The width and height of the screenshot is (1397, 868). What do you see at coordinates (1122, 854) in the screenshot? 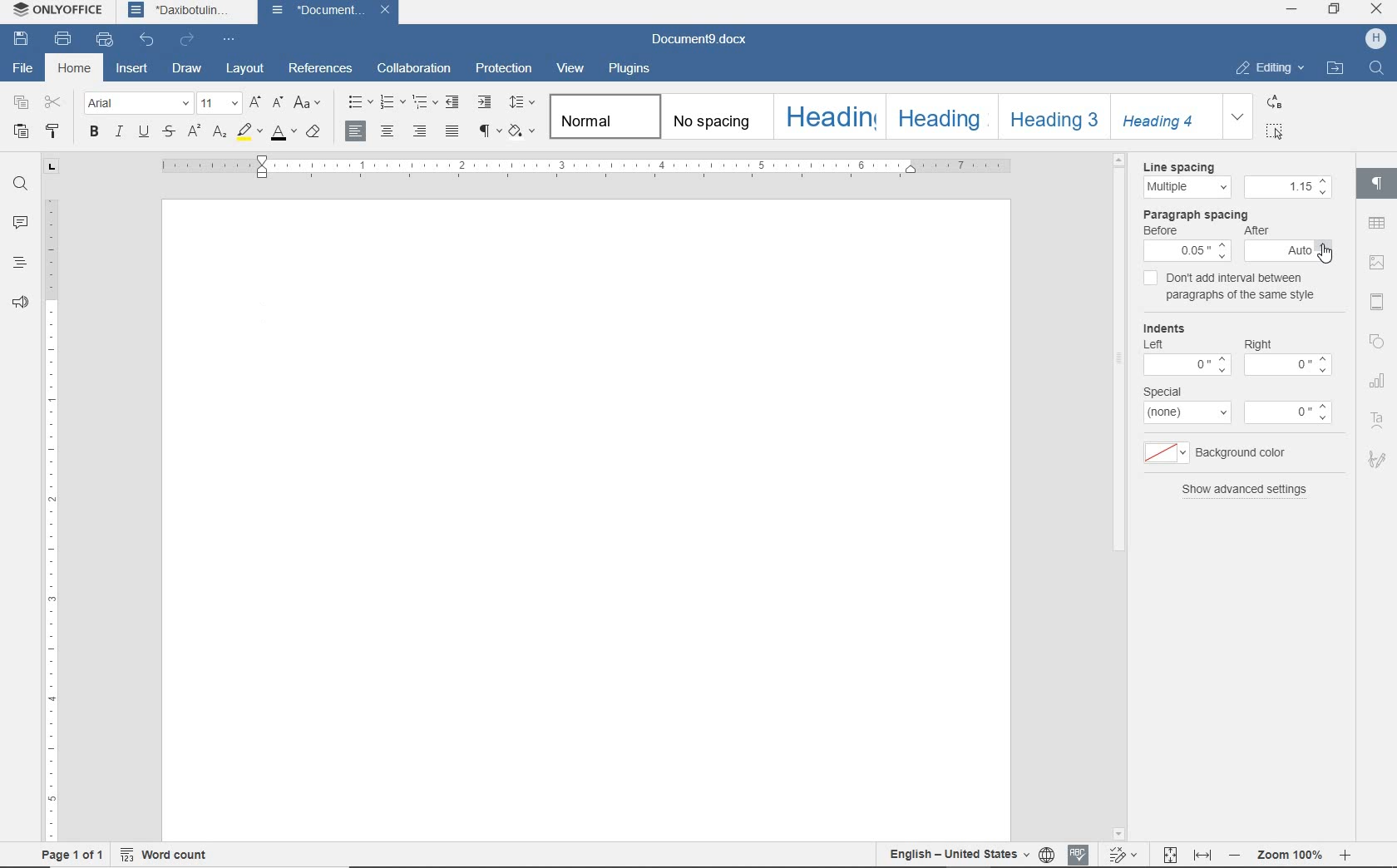
I see `track changes` at bounding box center [1122, 854].